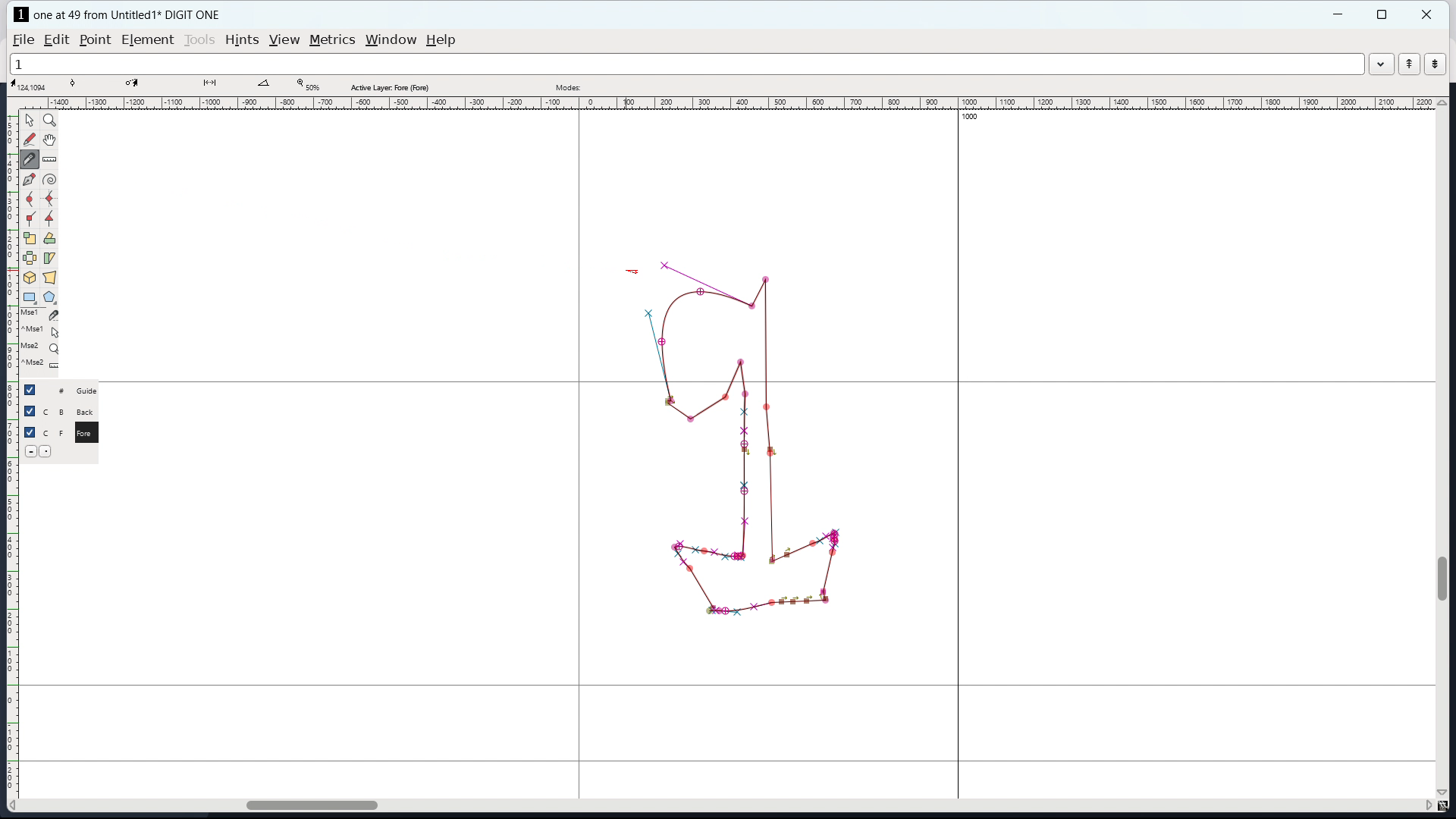  I want to click on window, so click(391, 40).